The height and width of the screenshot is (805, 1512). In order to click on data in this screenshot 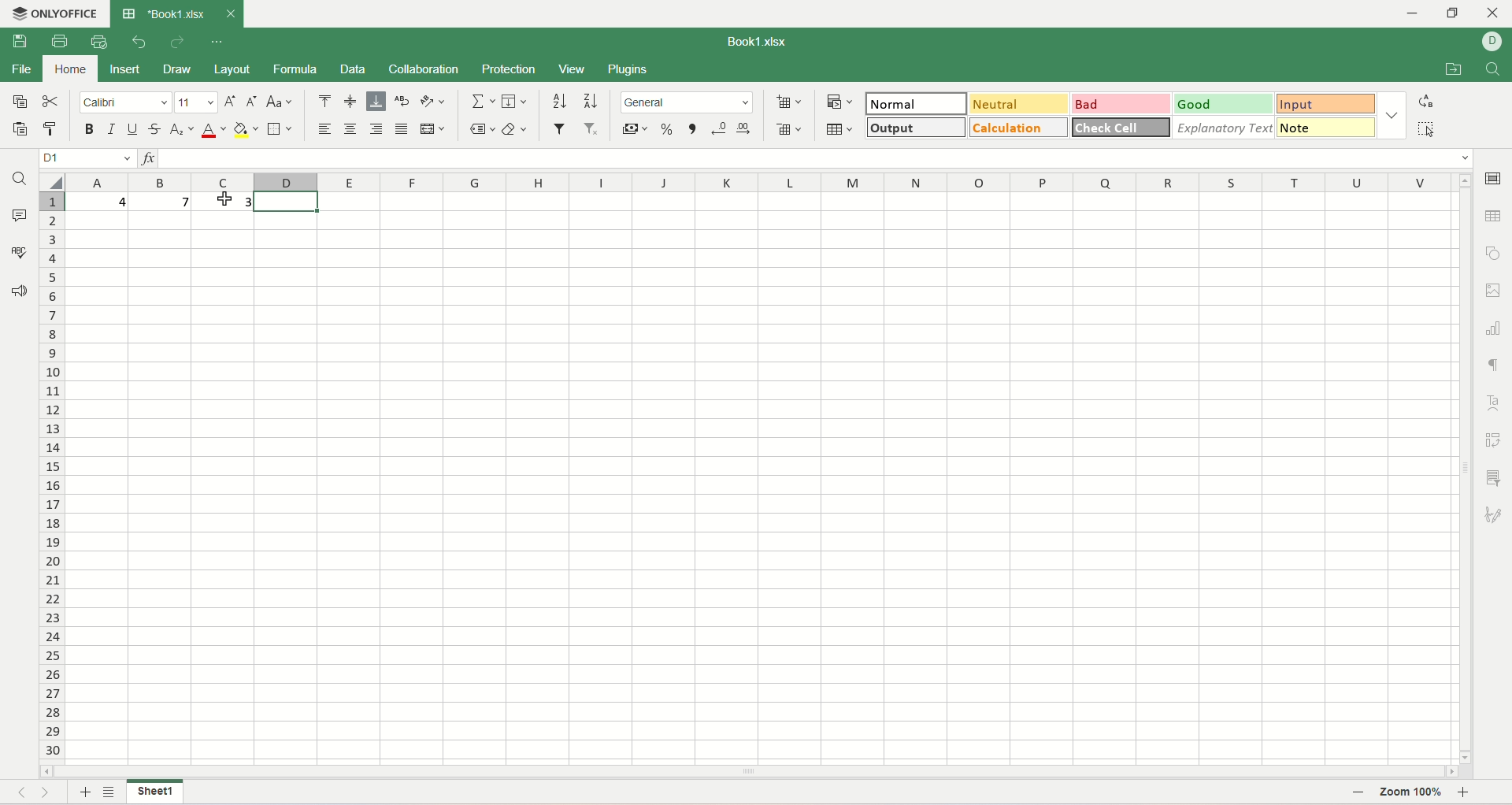, I will do `click(353, 69)`.